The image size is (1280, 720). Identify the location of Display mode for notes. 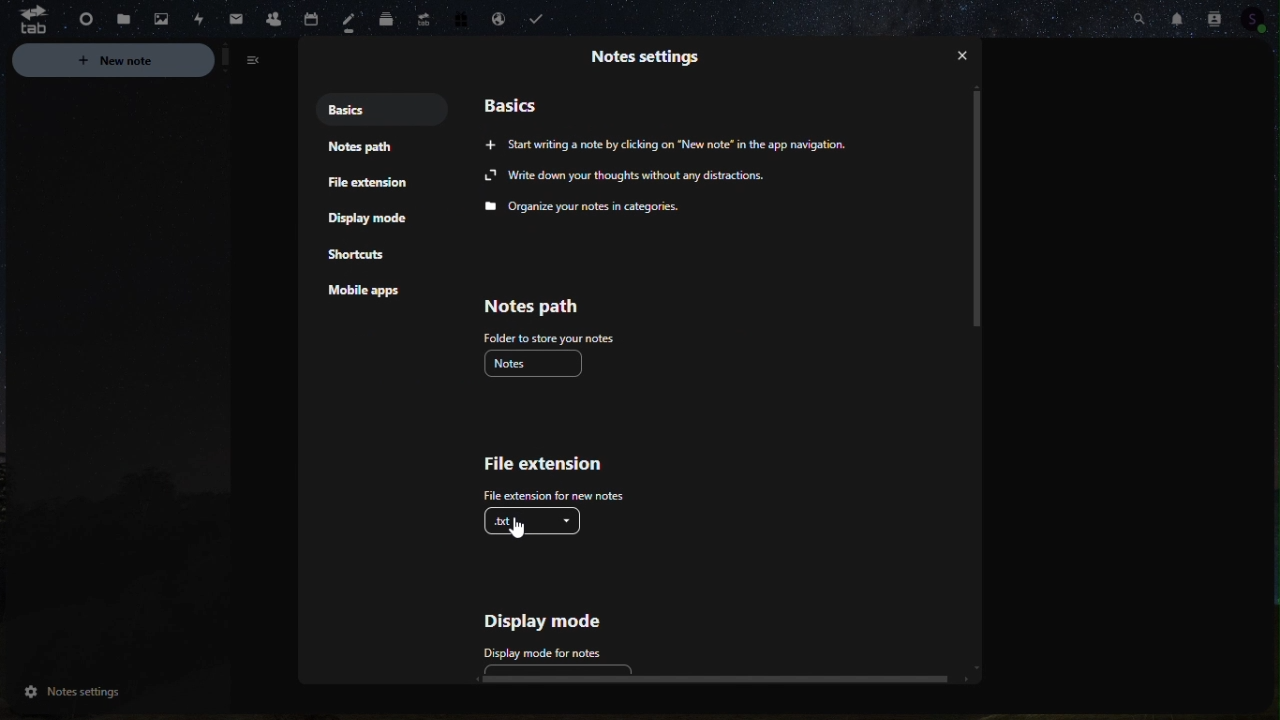
(548, 653).